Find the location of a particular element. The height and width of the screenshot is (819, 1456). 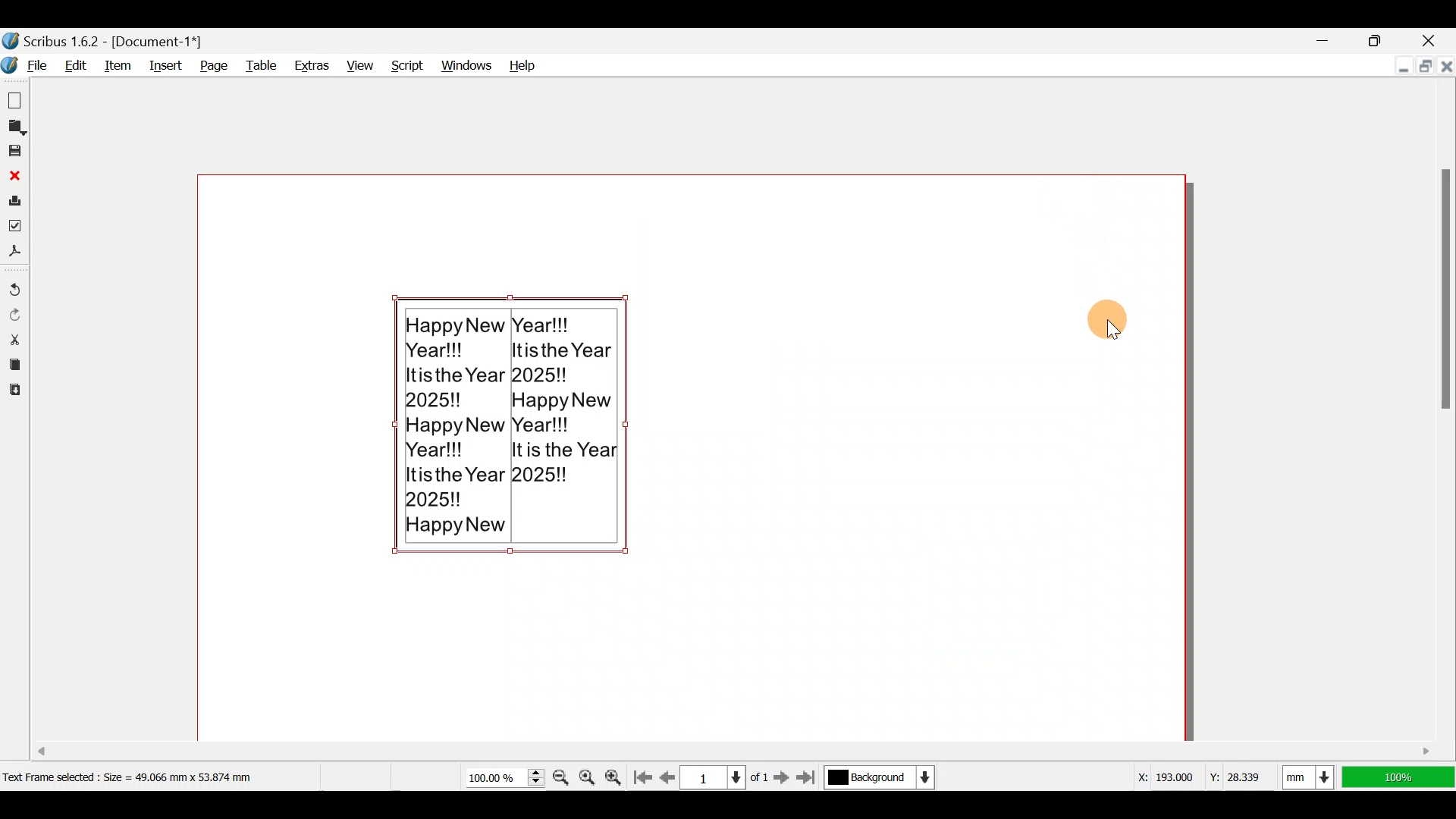

Select current units is located at coordinates (1312, 774).